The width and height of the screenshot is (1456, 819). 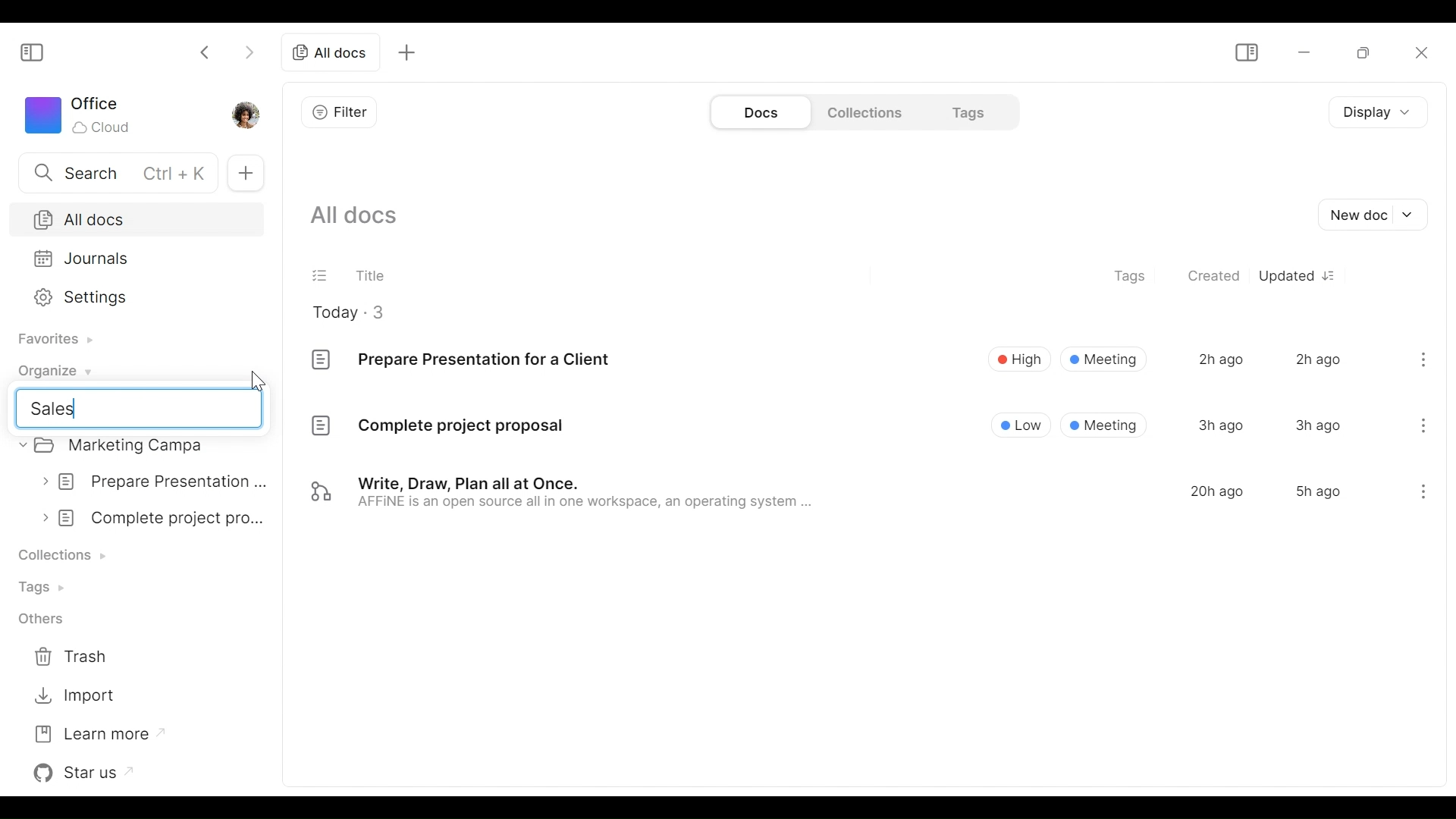 I want to click on Organize, so click(x=52, y=370).